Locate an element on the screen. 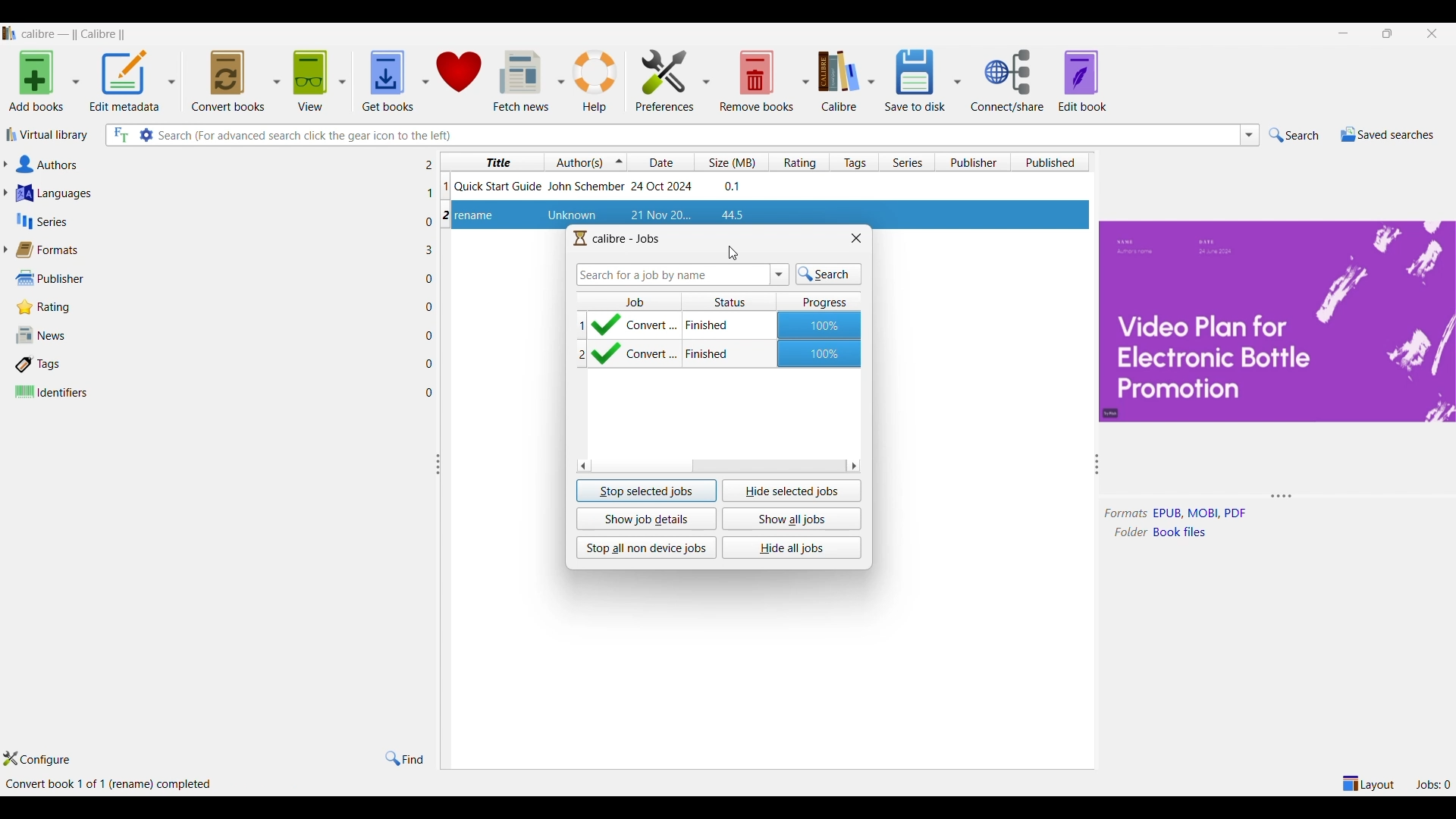 The image size is (1456, 819). Published column is located at coordinates (1053, 162).